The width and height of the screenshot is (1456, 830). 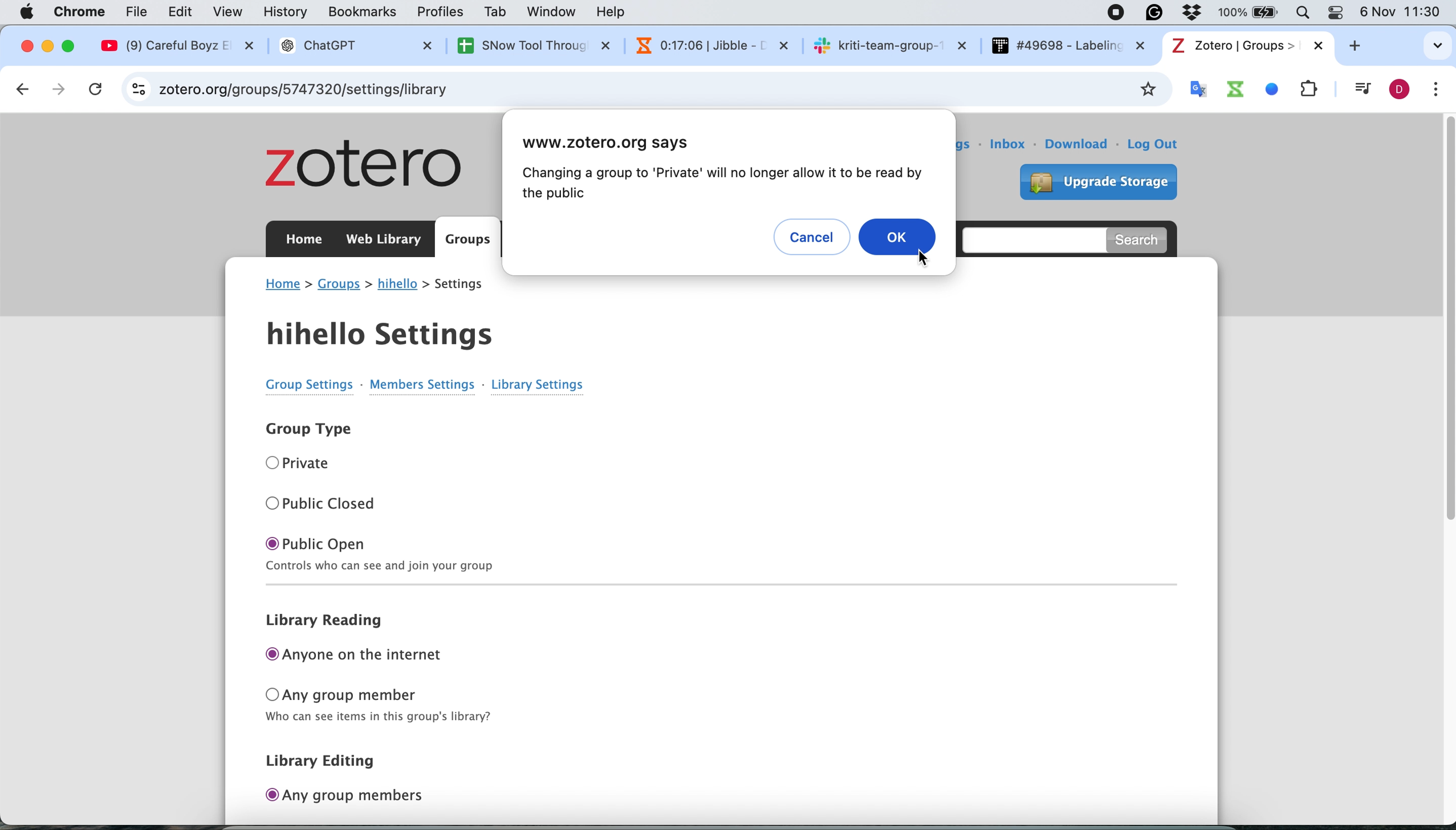 What do you see at coordinates (303, 242) in the screenshot?
I see `home` at bounding box center [303, 242].